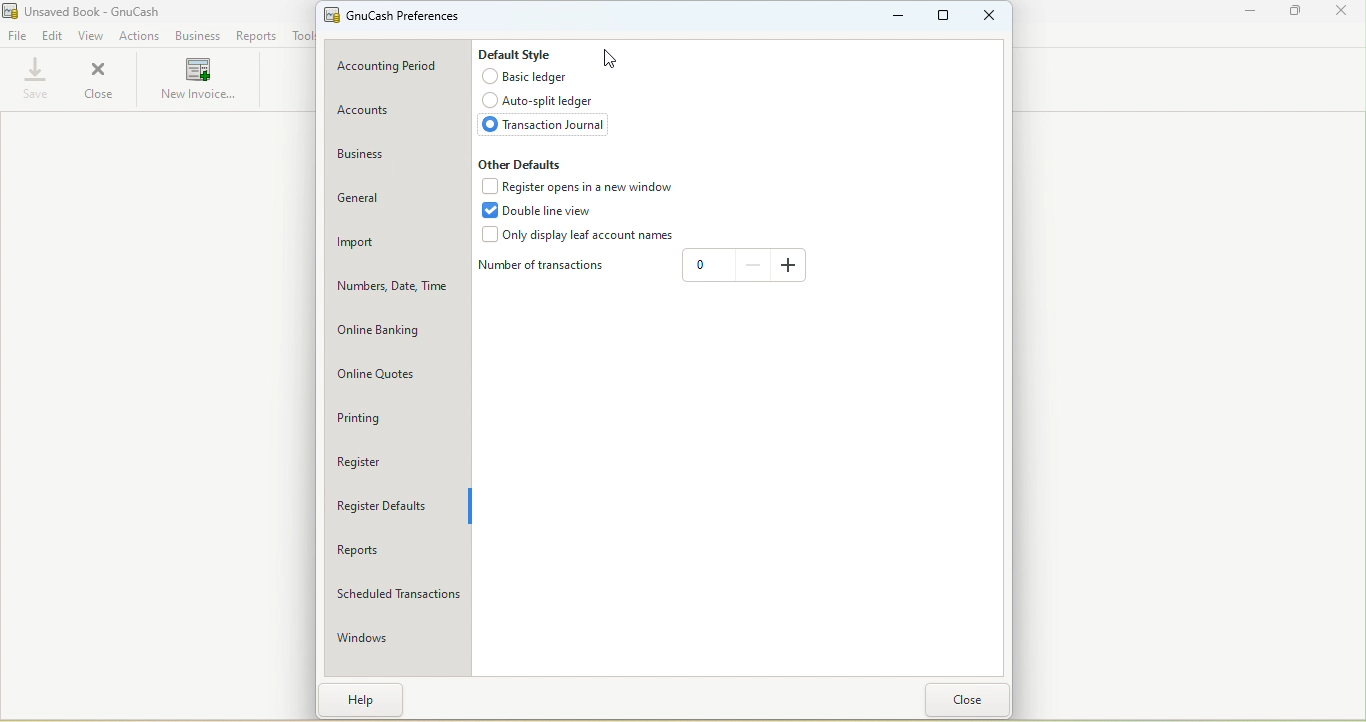 The height and width of the screenshot is (722, 1366). What do you see at coordinates (396, 373) in the screenshot?
I see `Online quotes` at bounding box center [396, 373].